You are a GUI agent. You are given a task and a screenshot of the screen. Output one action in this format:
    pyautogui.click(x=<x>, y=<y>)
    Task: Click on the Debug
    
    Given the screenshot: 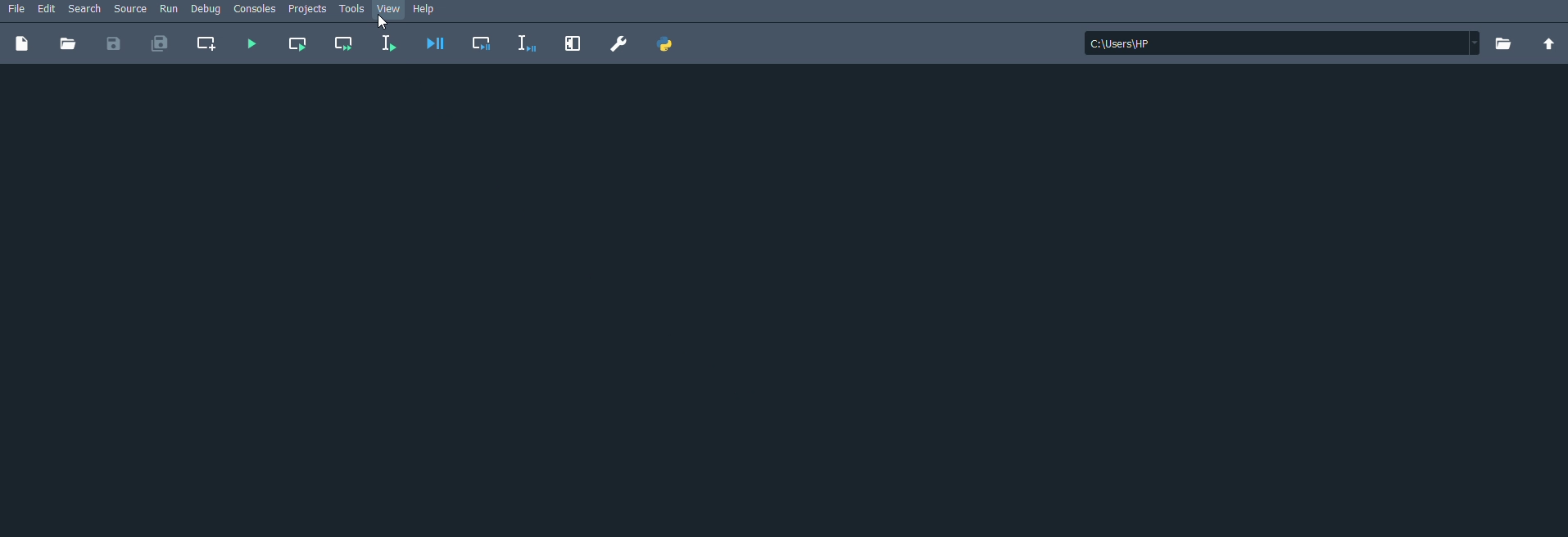 What is the action you would take?
    pyautogui.click(x=206, y=10)
    